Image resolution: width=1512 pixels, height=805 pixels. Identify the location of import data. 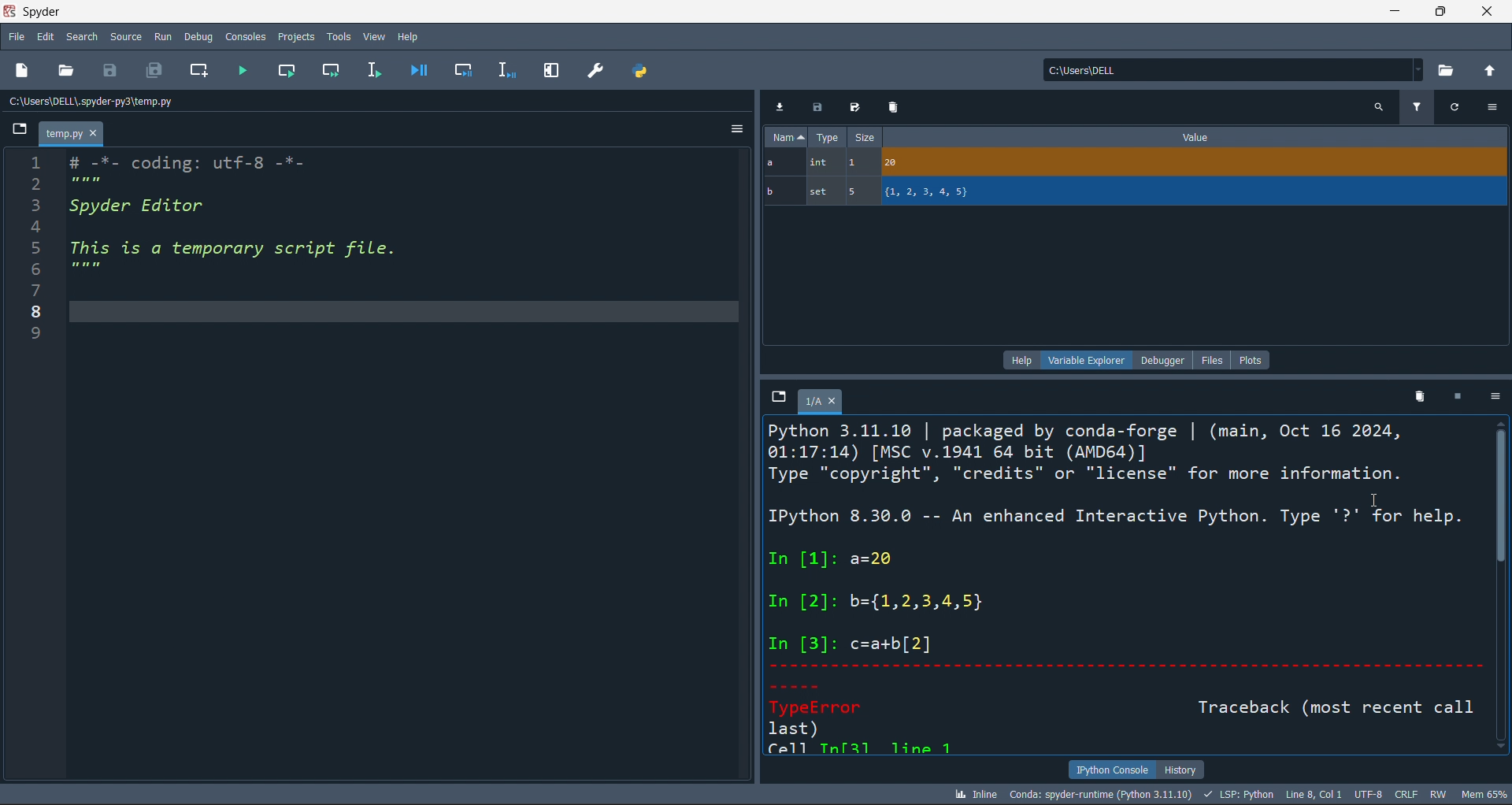
(781, 105).